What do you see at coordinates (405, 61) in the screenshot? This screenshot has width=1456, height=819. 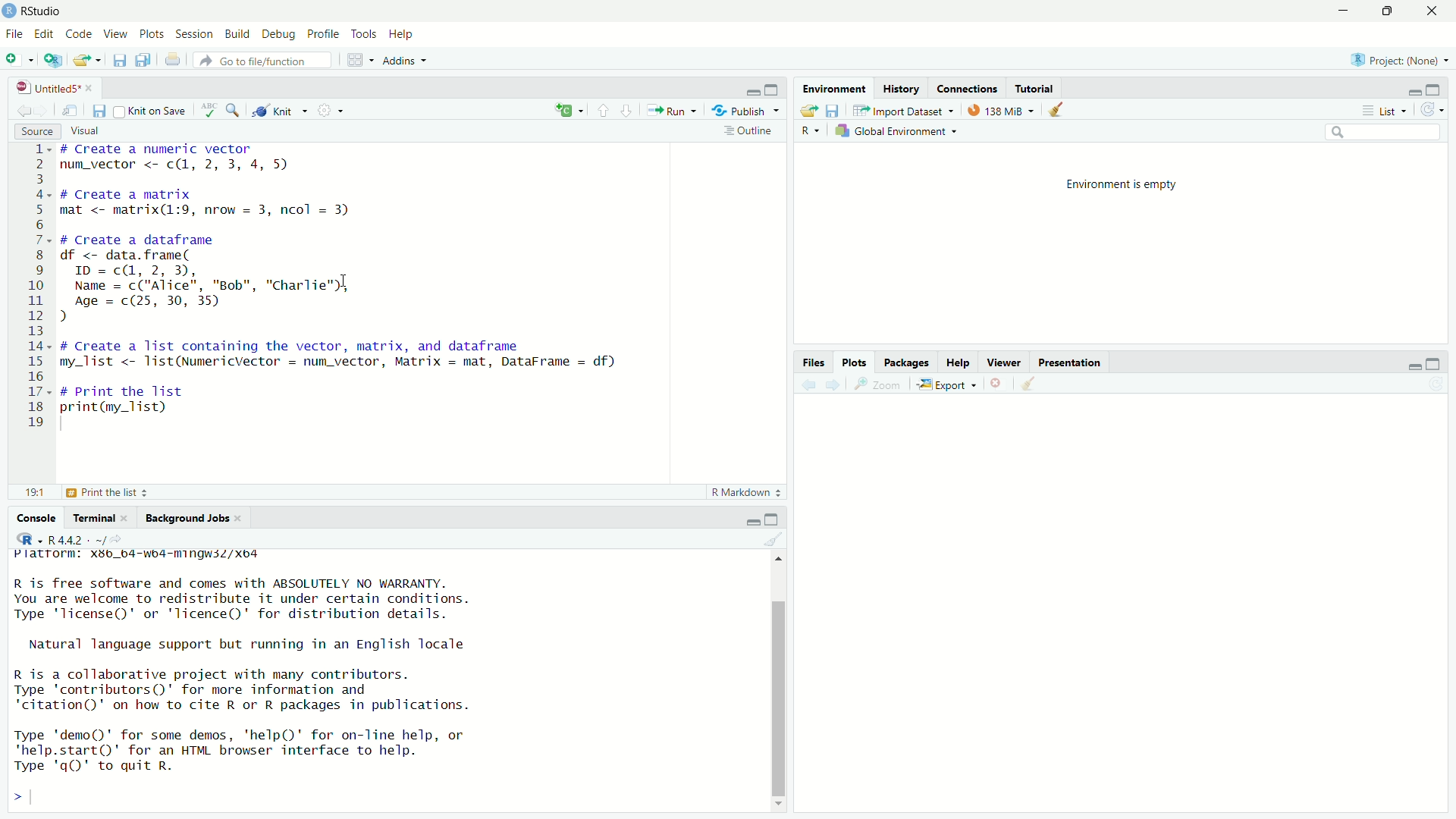 I see `Addins` at bounding box center [405, 61].